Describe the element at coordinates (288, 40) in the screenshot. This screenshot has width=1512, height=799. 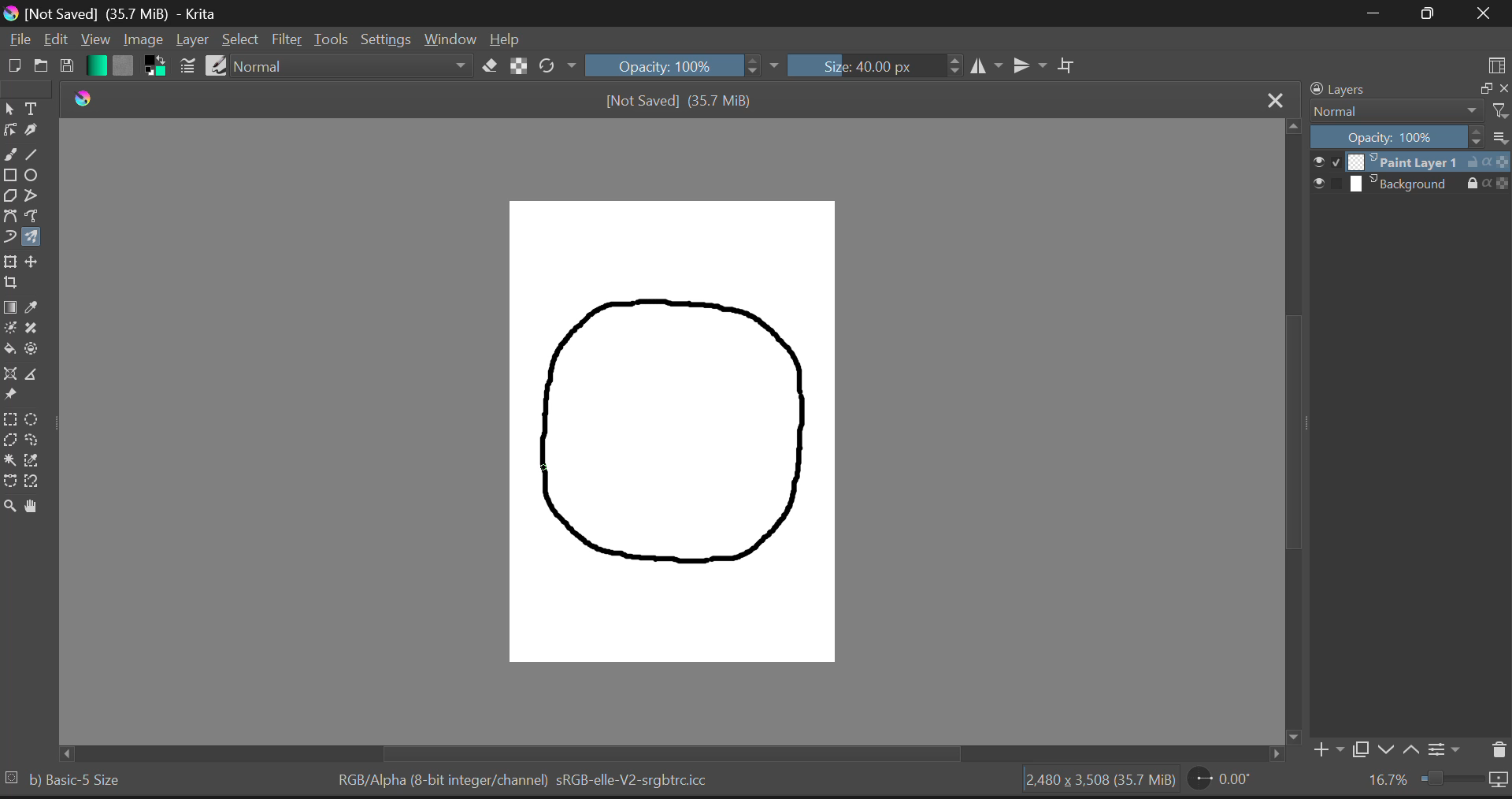
I see `Filter` at that location.